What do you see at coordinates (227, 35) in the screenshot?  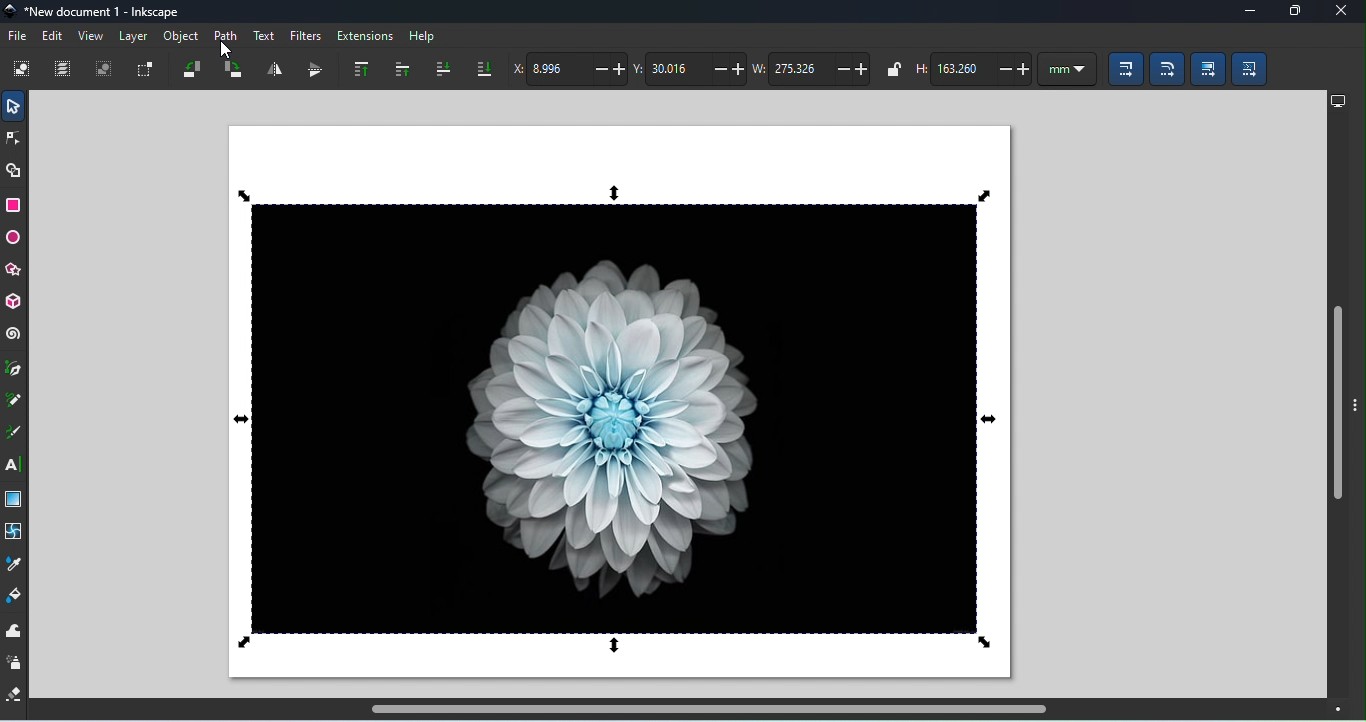 I see `Path` at bounding box center [227, 35].